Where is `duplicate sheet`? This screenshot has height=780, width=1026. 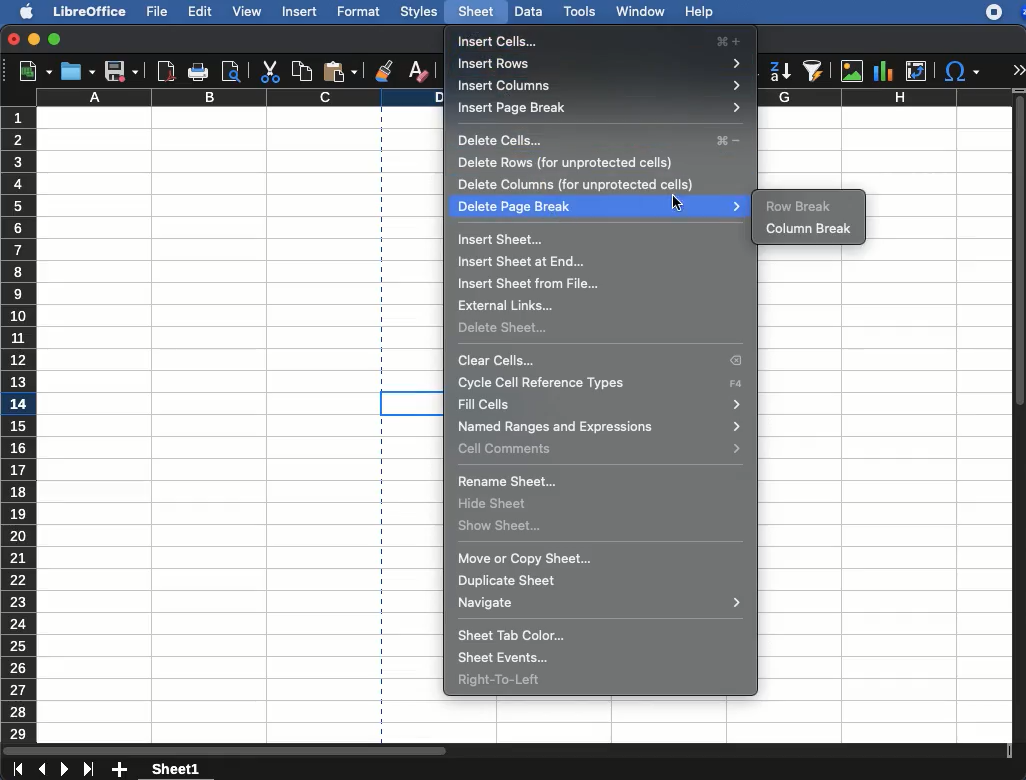
duplicate sheet is located at coordinates (510, 581).